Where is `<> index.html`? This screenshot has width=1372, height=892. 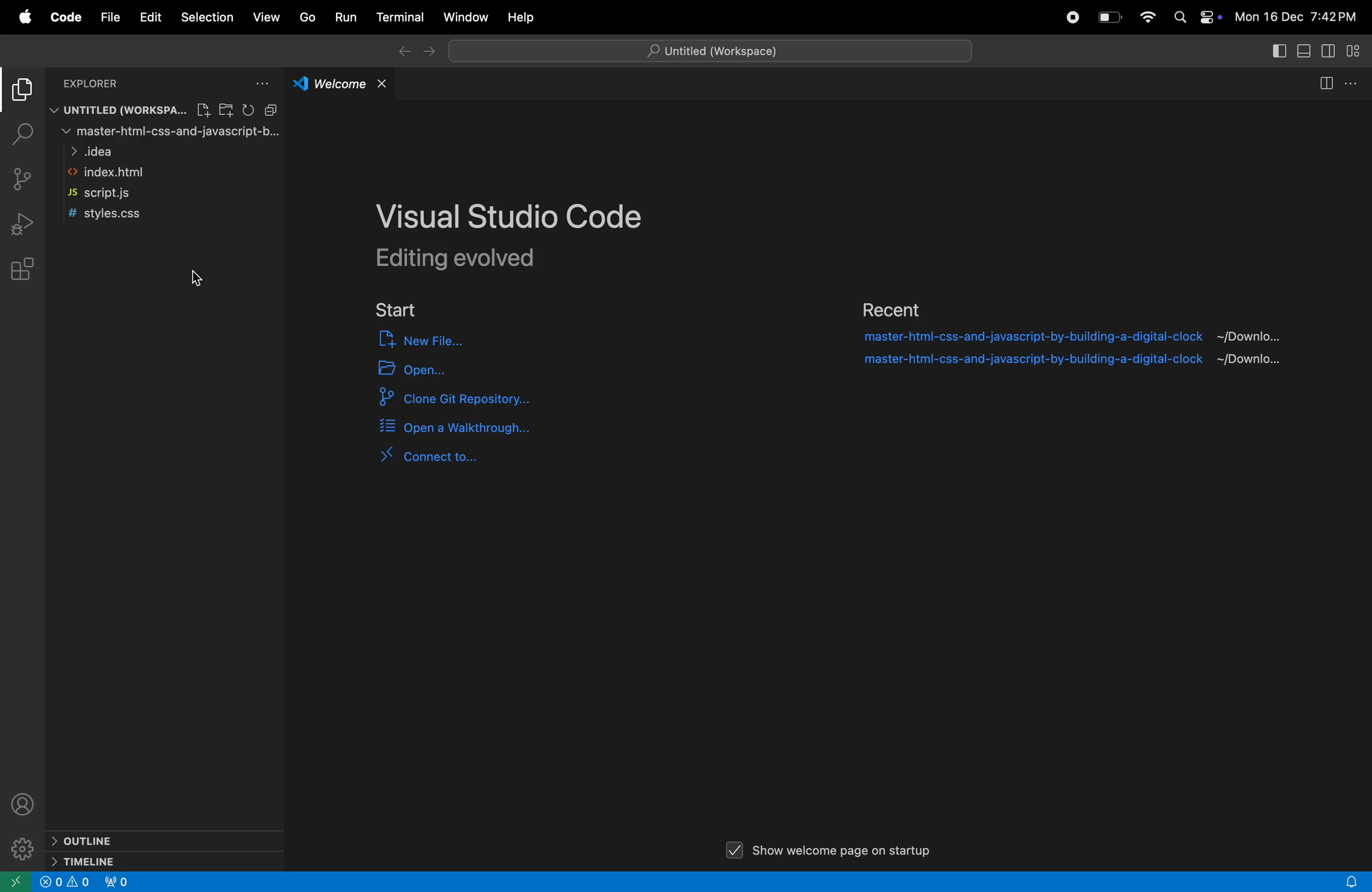
<> index.html is located at coordinates (112, 173).